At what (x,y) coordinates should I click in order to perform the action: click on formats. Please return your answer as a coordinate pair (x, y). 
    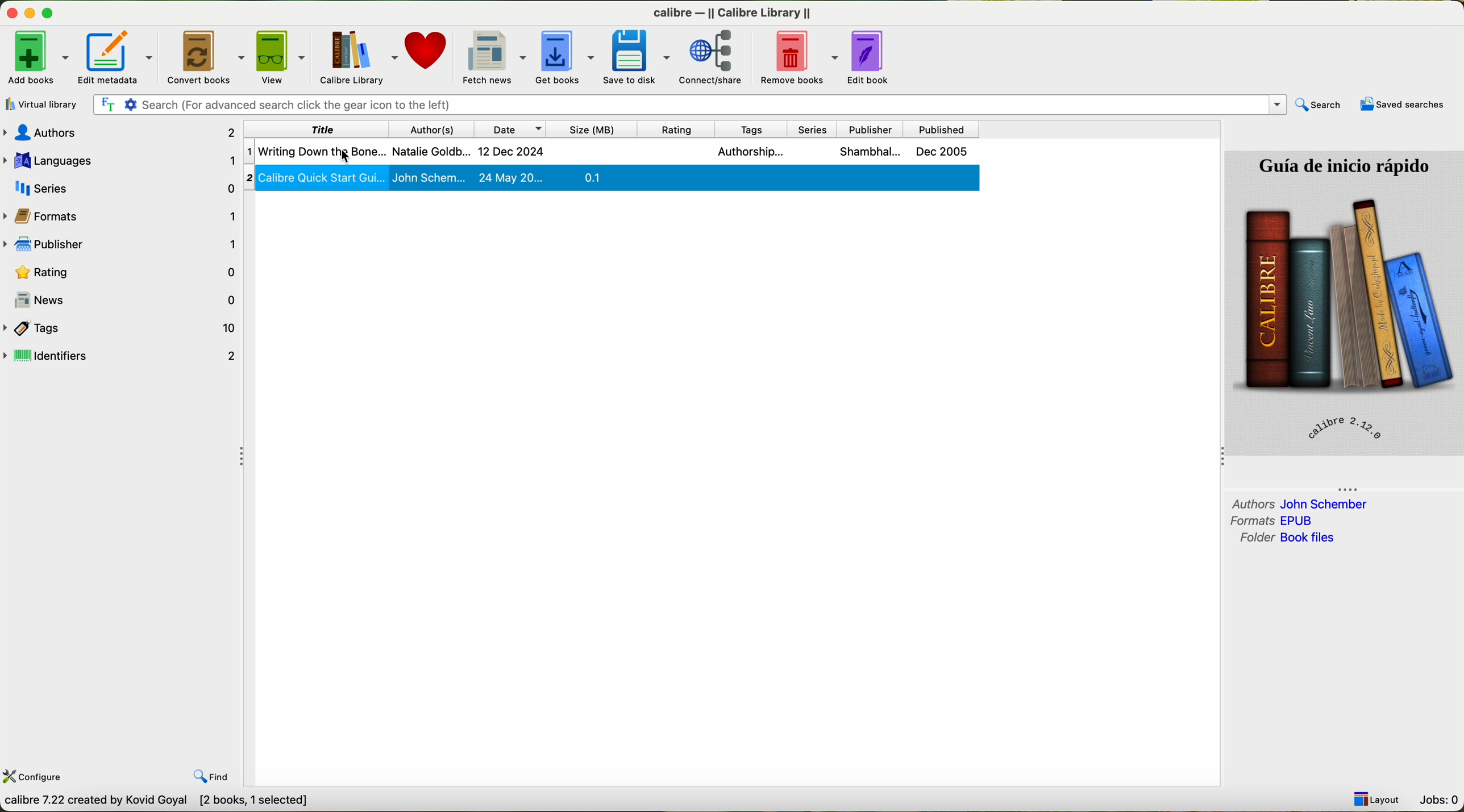
    Looking at the image, I should click on (1275, 520).